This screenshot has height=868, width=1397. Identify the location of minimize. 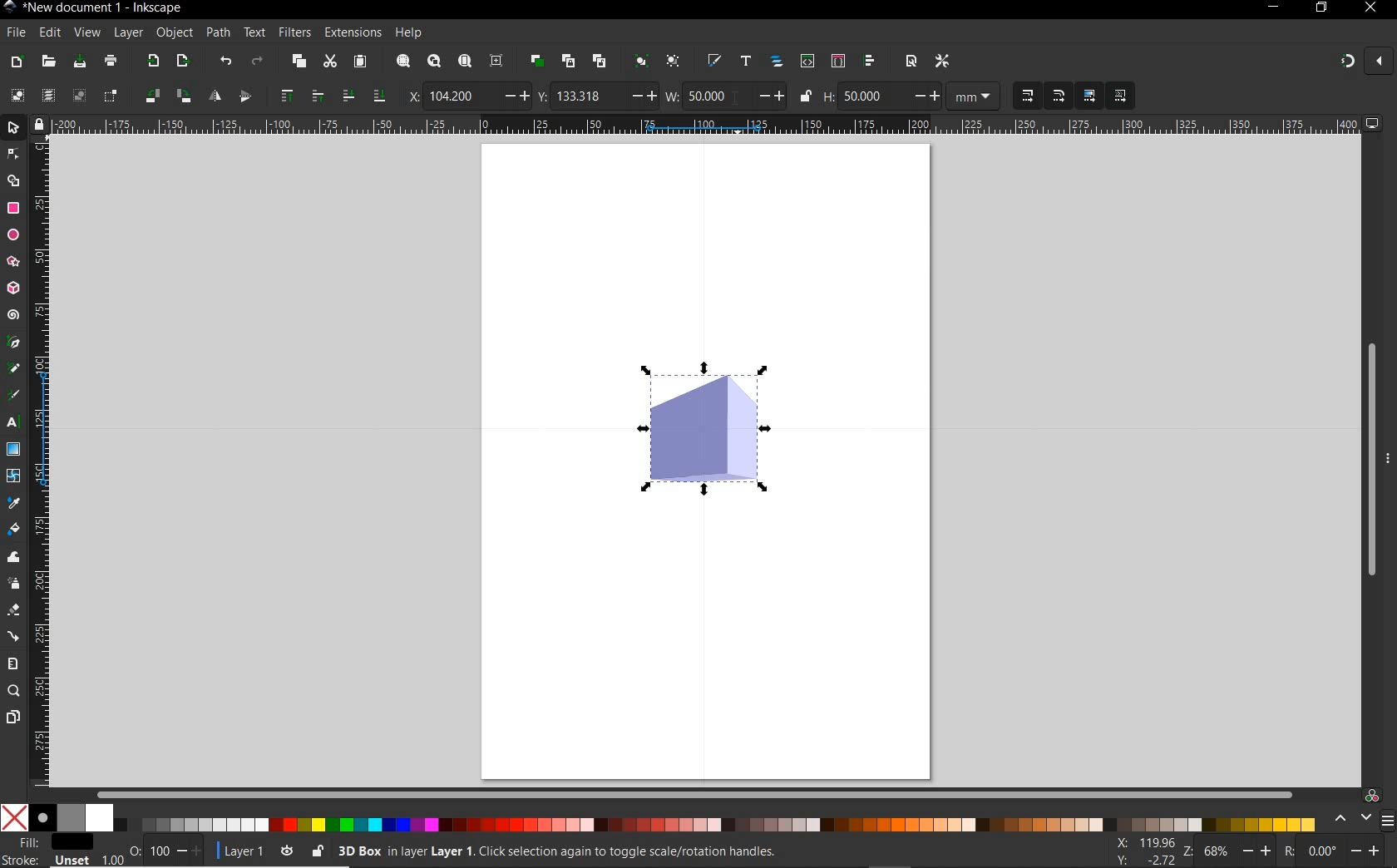
(1272, 8).